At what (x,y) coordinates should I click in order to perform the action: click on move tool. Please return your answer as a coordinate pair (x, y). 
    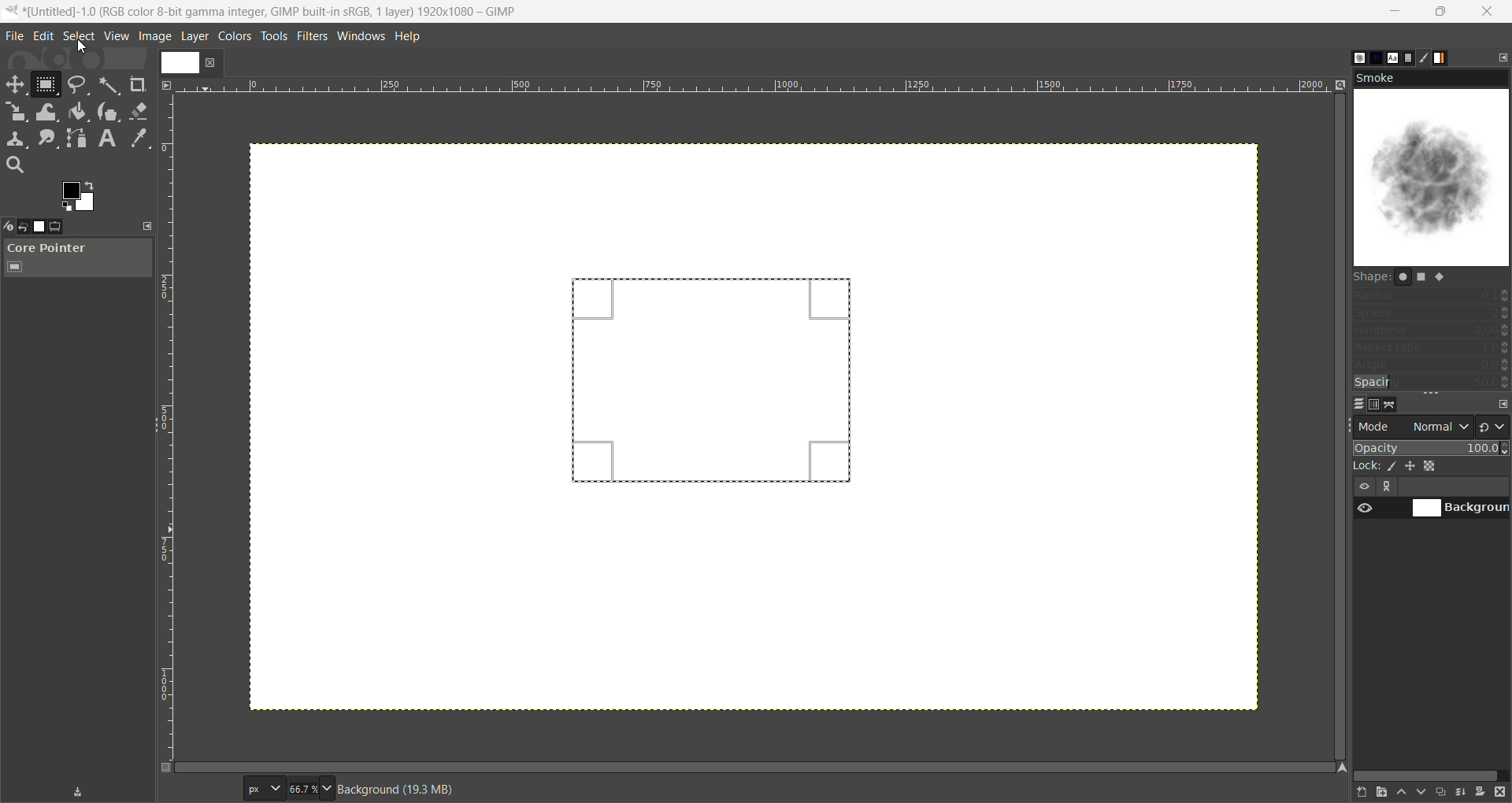
    Looking at the image, I should click on (14, 83).